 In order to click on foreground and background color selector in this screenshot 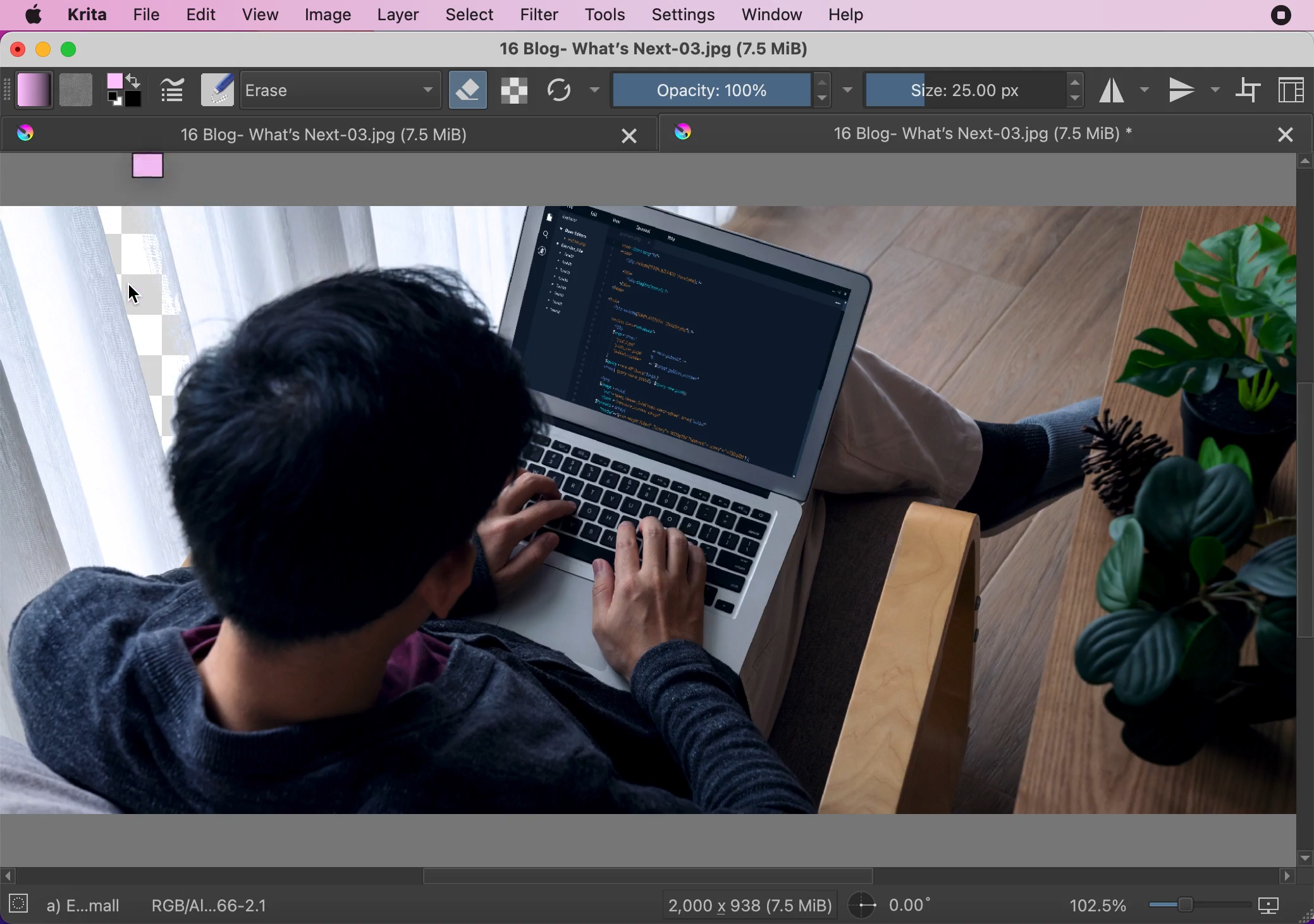, I will do `click(126, 90)`.